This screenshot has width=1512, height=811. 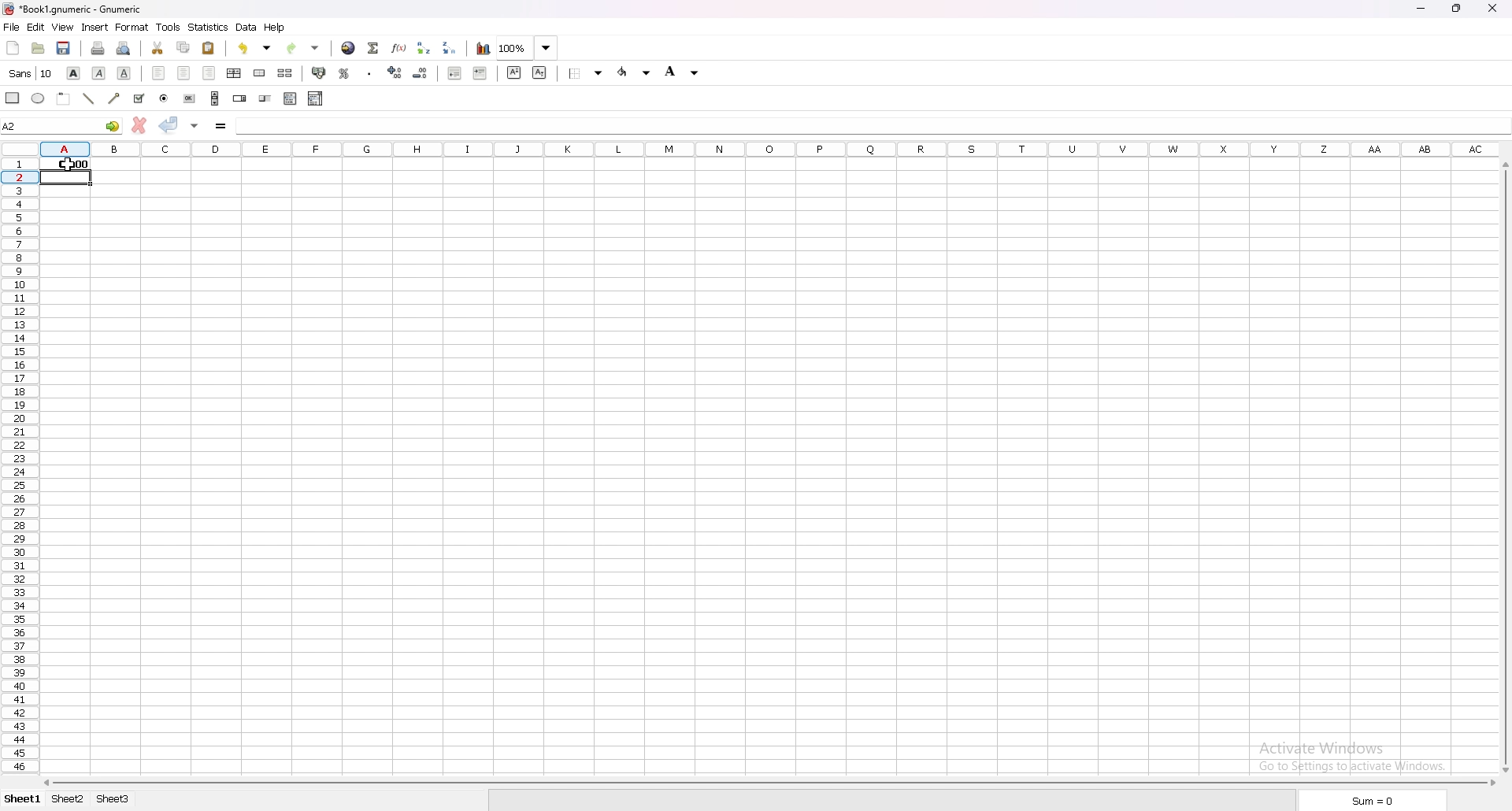 I want to click on line, so click(x=90, y=98).